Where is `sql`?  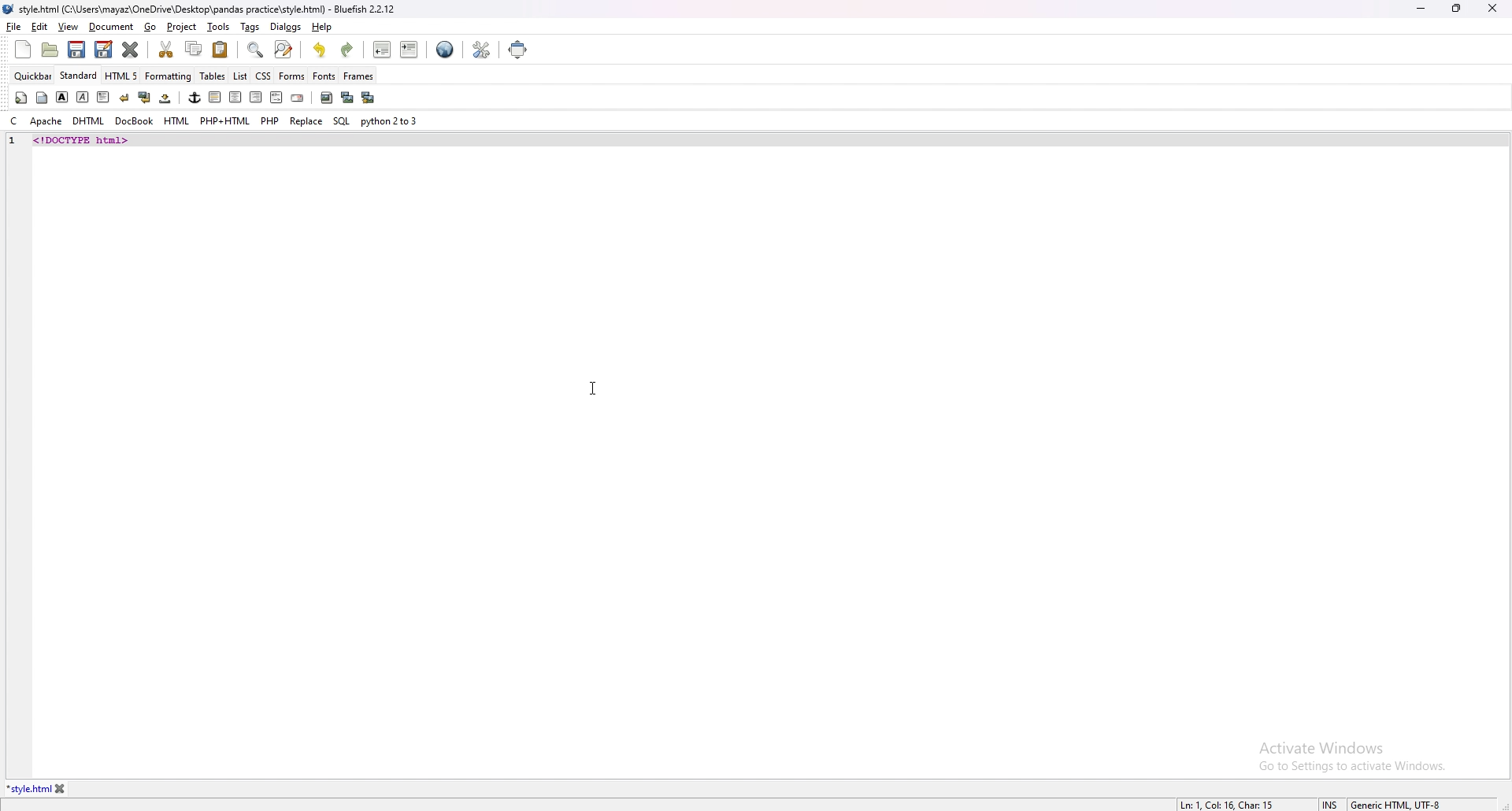
sql is located at coordinates (341, 120).